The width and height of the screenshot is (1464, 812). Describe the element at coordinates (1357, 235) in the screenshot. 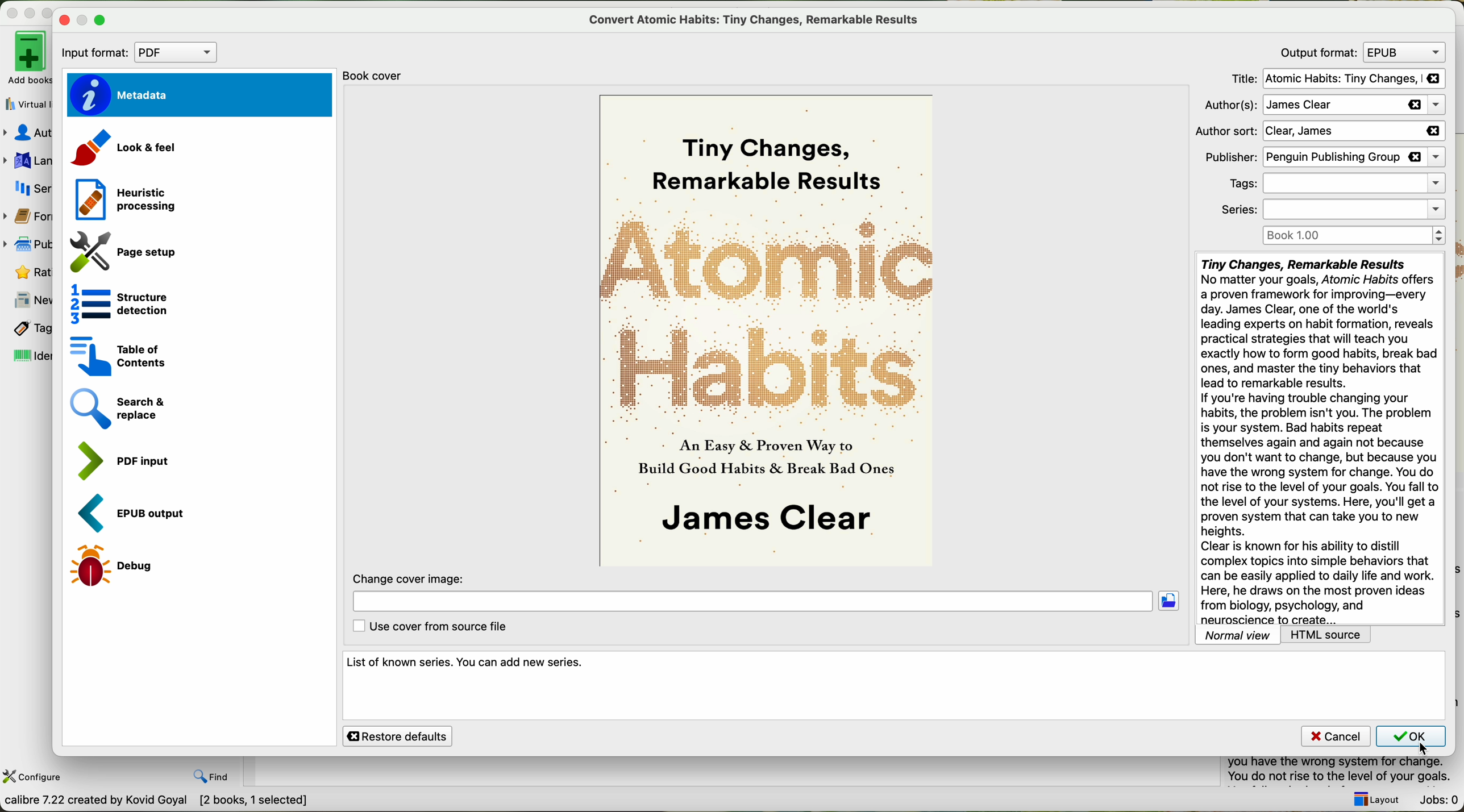

I see `book 1.00` at that location.